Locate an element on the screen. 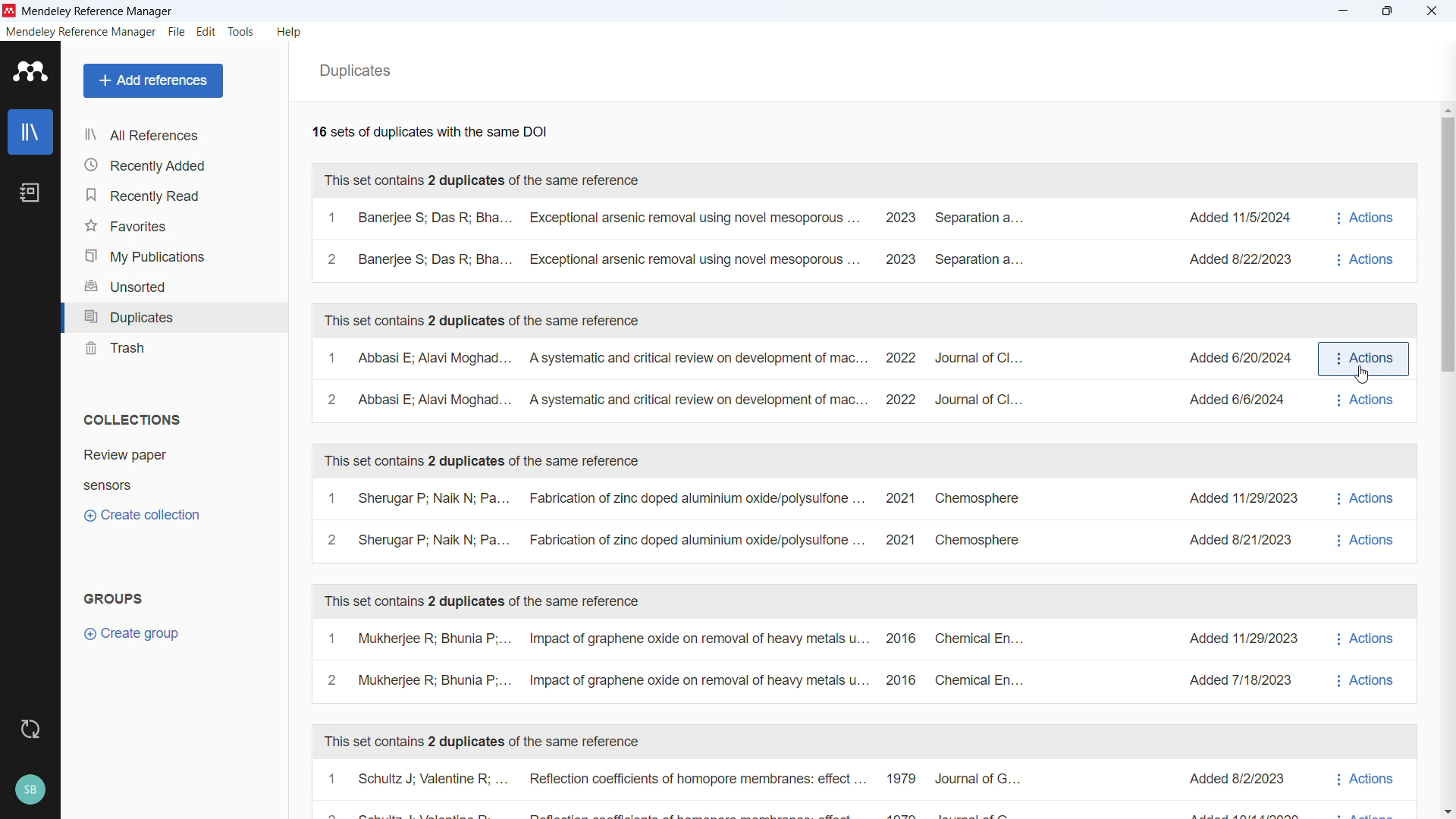 The width and height of the screenshot is (1456, 819). Number of available duplicates  is located at coordinates (430, 133).